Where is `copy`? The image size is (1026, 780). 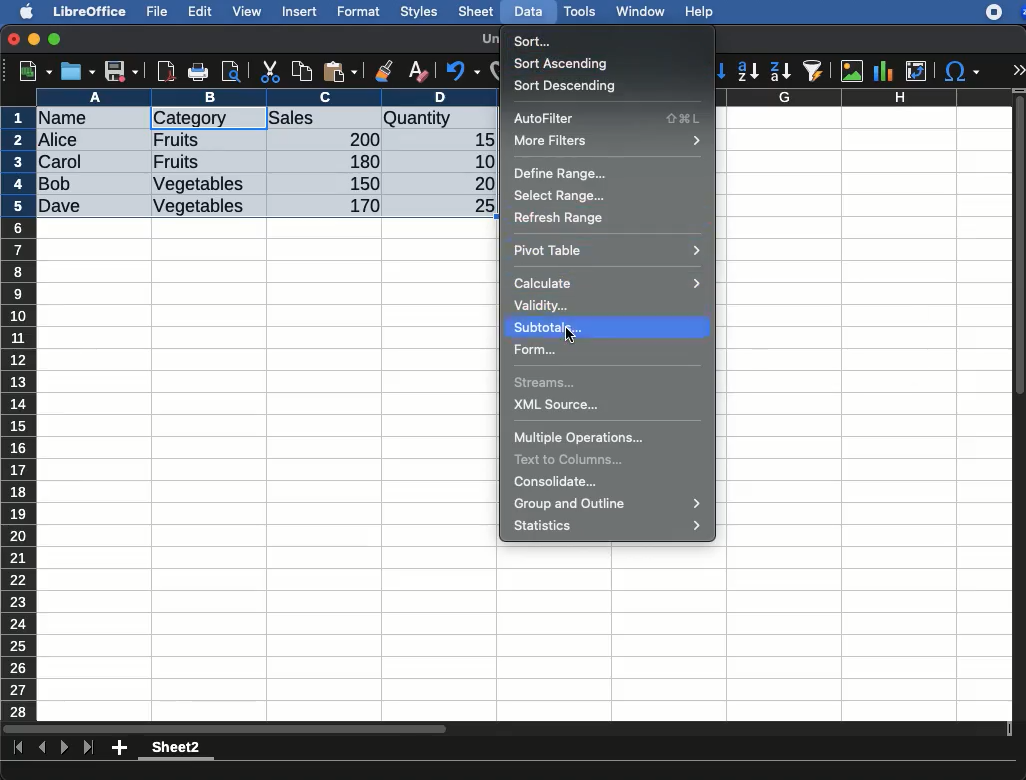 copy is located at coordinates (304, 71).